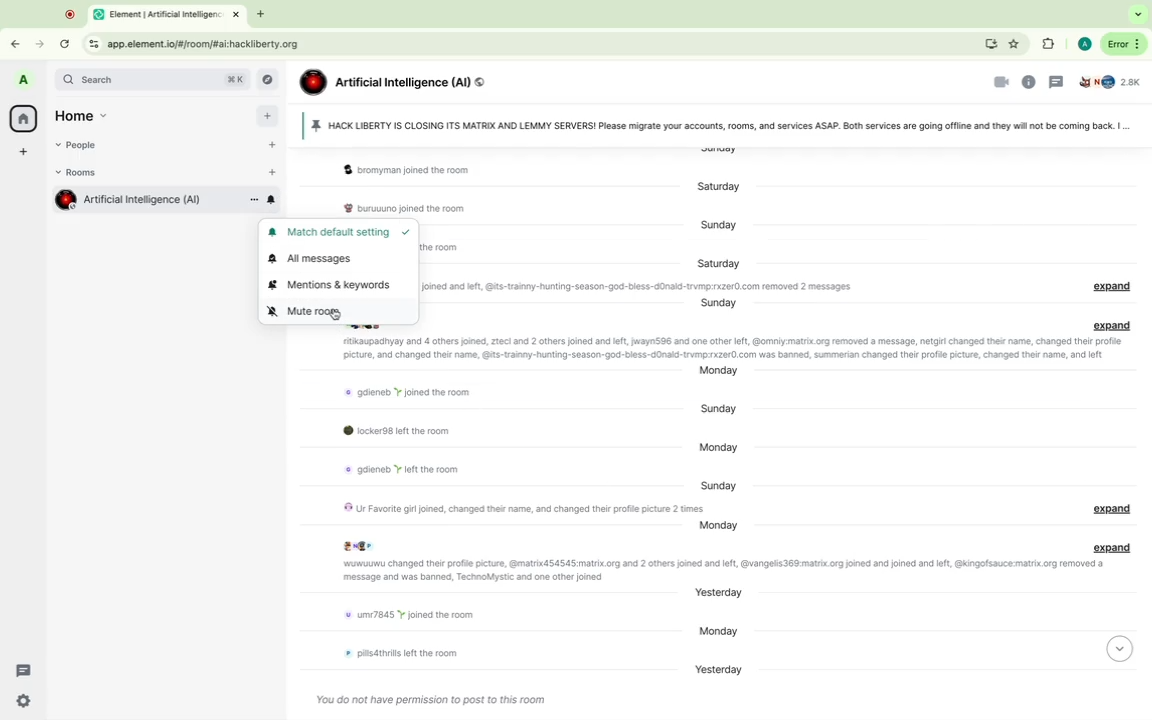  Describe the element at coordinates (719, 372) in the screenshot. I see `Day` at that location.